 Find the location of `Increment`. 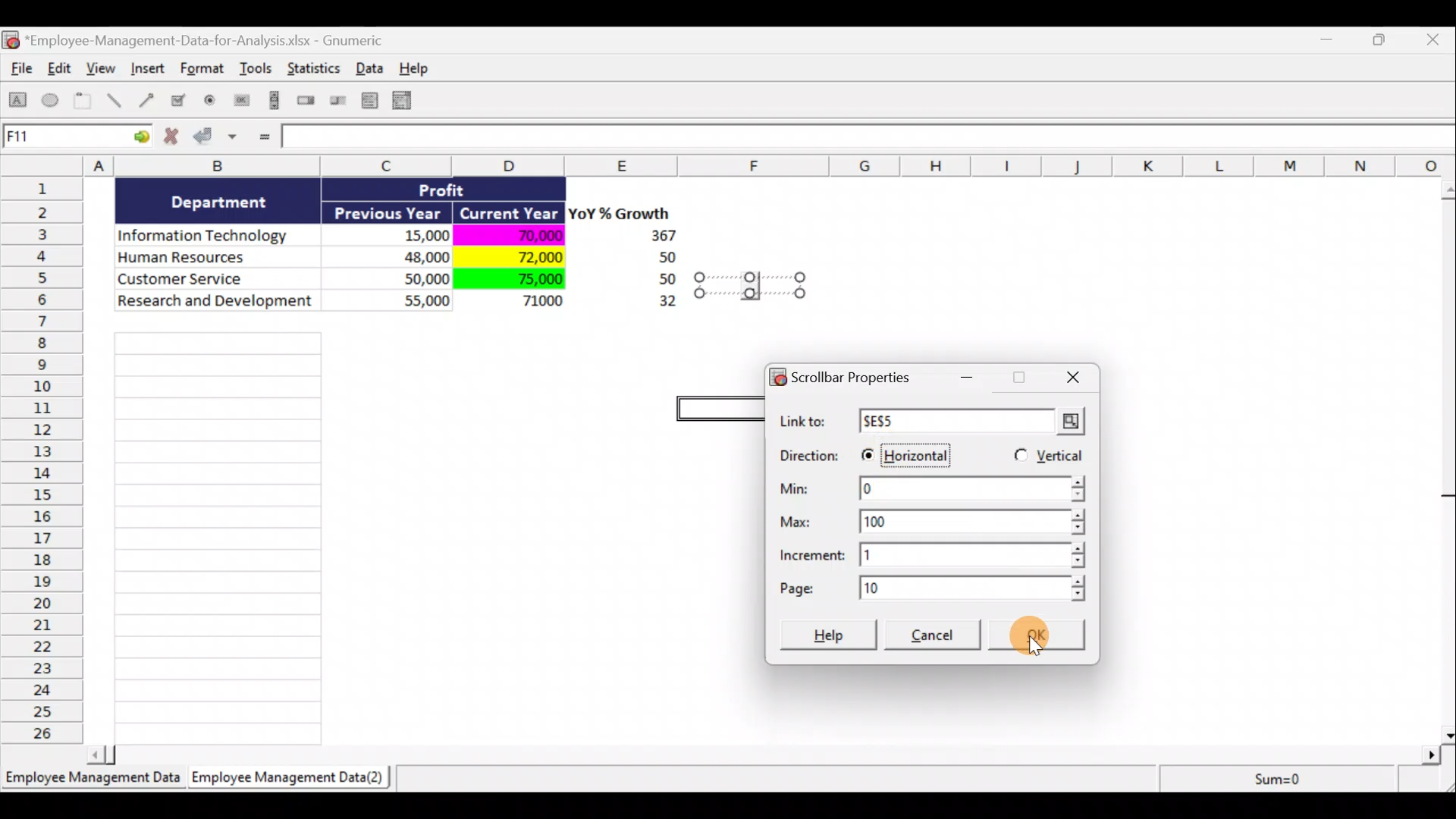

Increment is located at coordinates (934, 554).